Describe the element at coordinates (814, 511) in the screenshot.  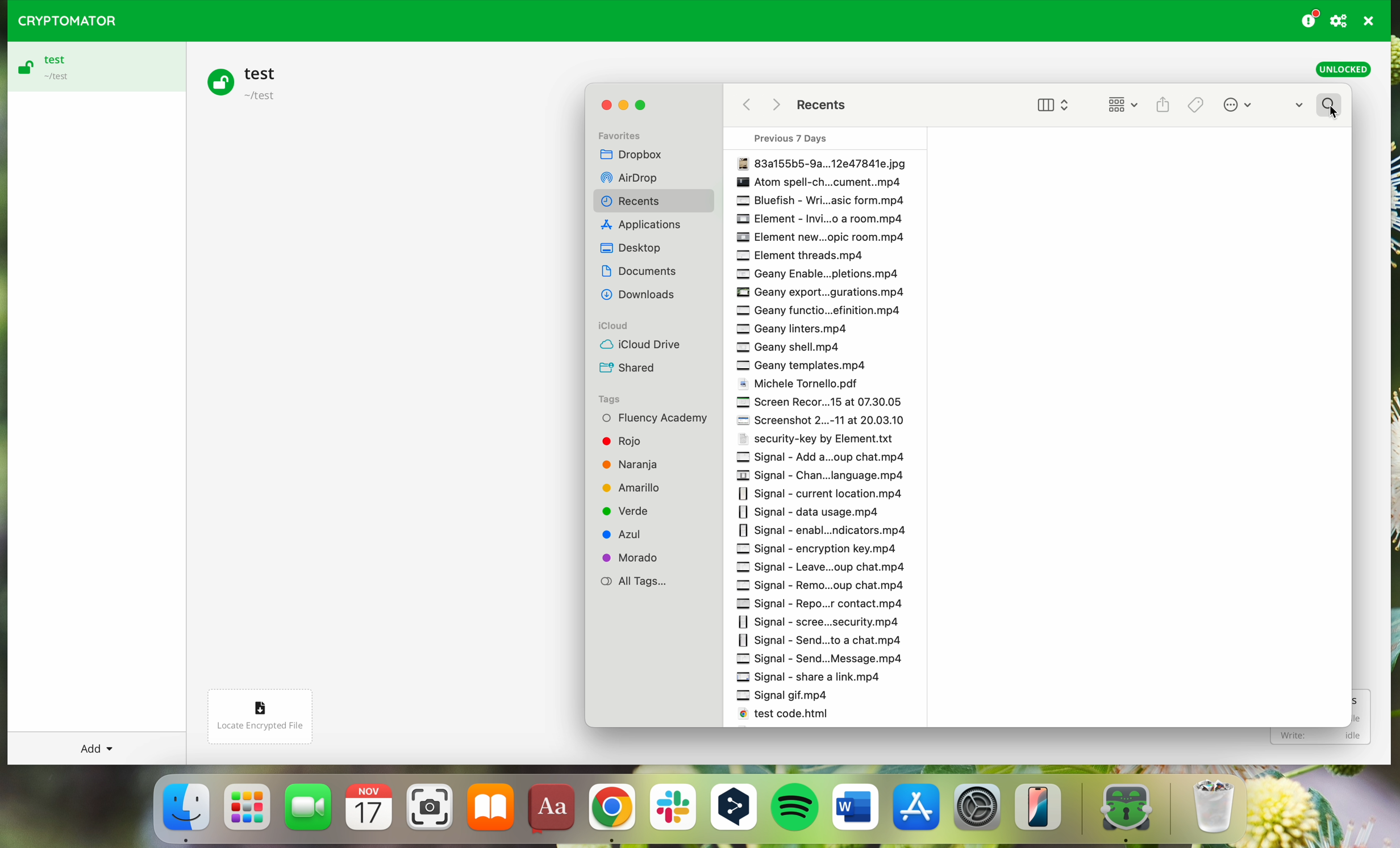
I see `signal data usage` at that location.